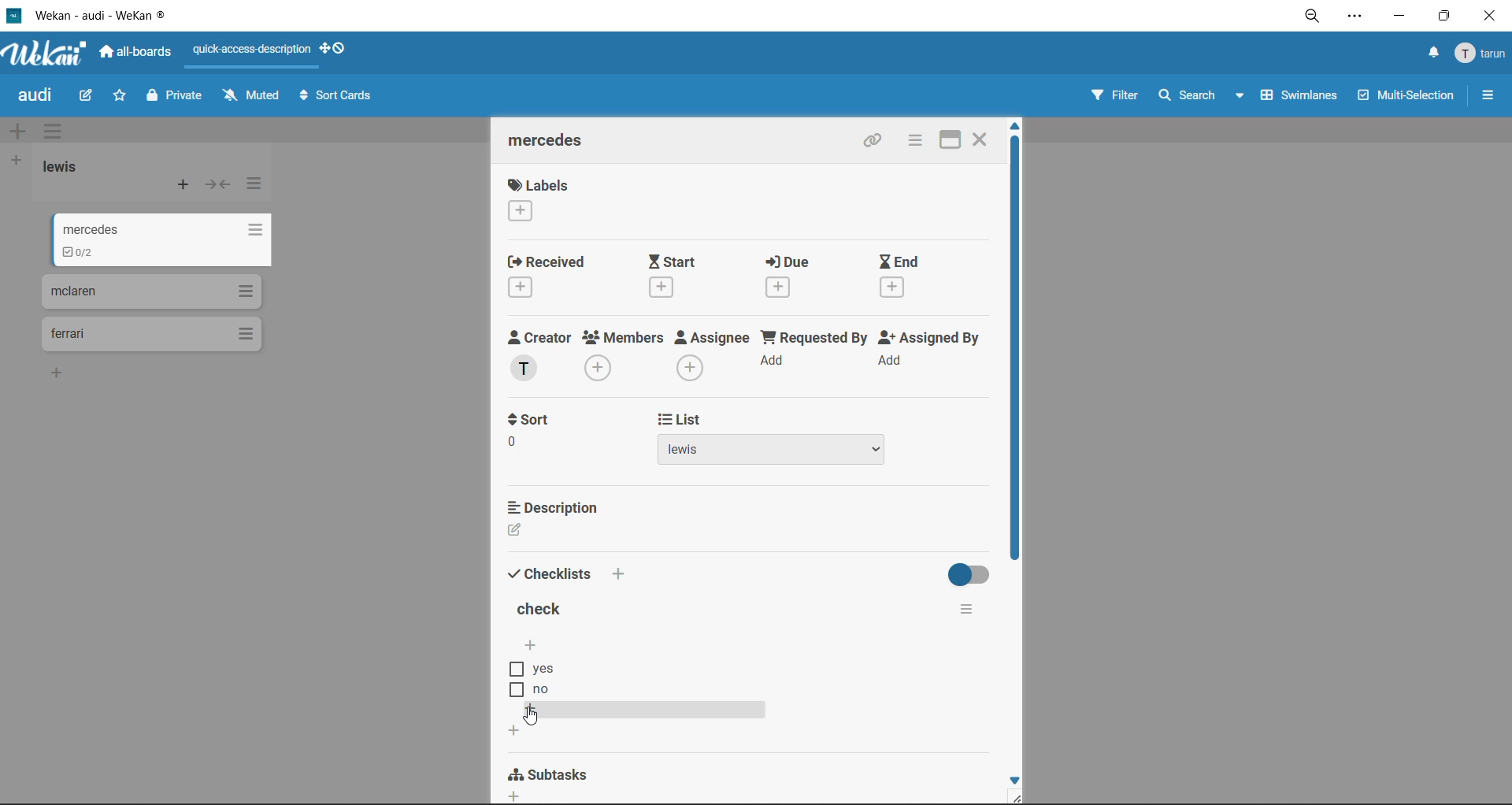 The height and width of the screenshot is (805, 1512). I want to click on minimize, so click(1399, 20).